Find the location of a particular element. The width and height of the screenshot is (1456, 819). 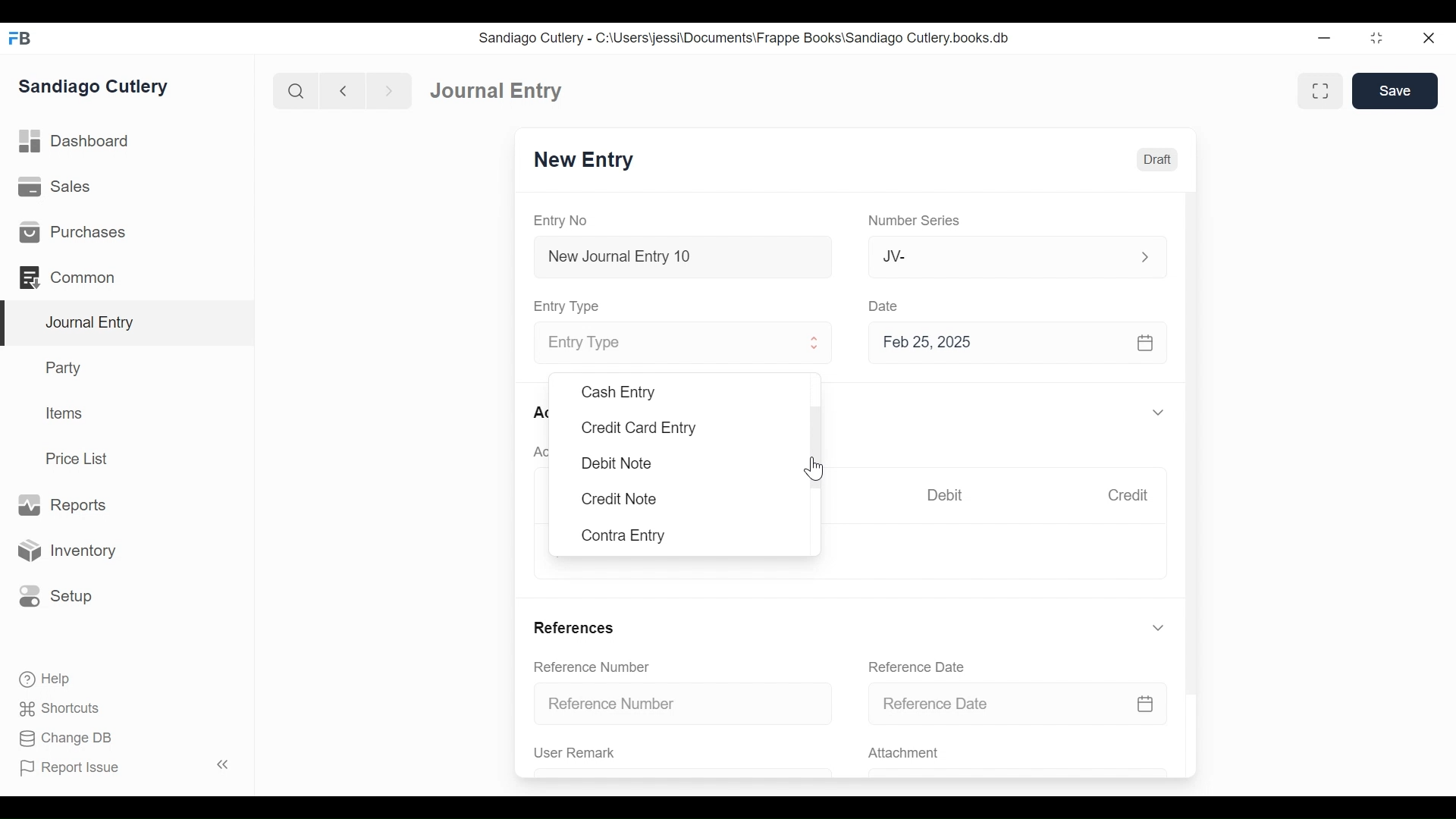

Shortcuts is located at coordinates (55, 708).